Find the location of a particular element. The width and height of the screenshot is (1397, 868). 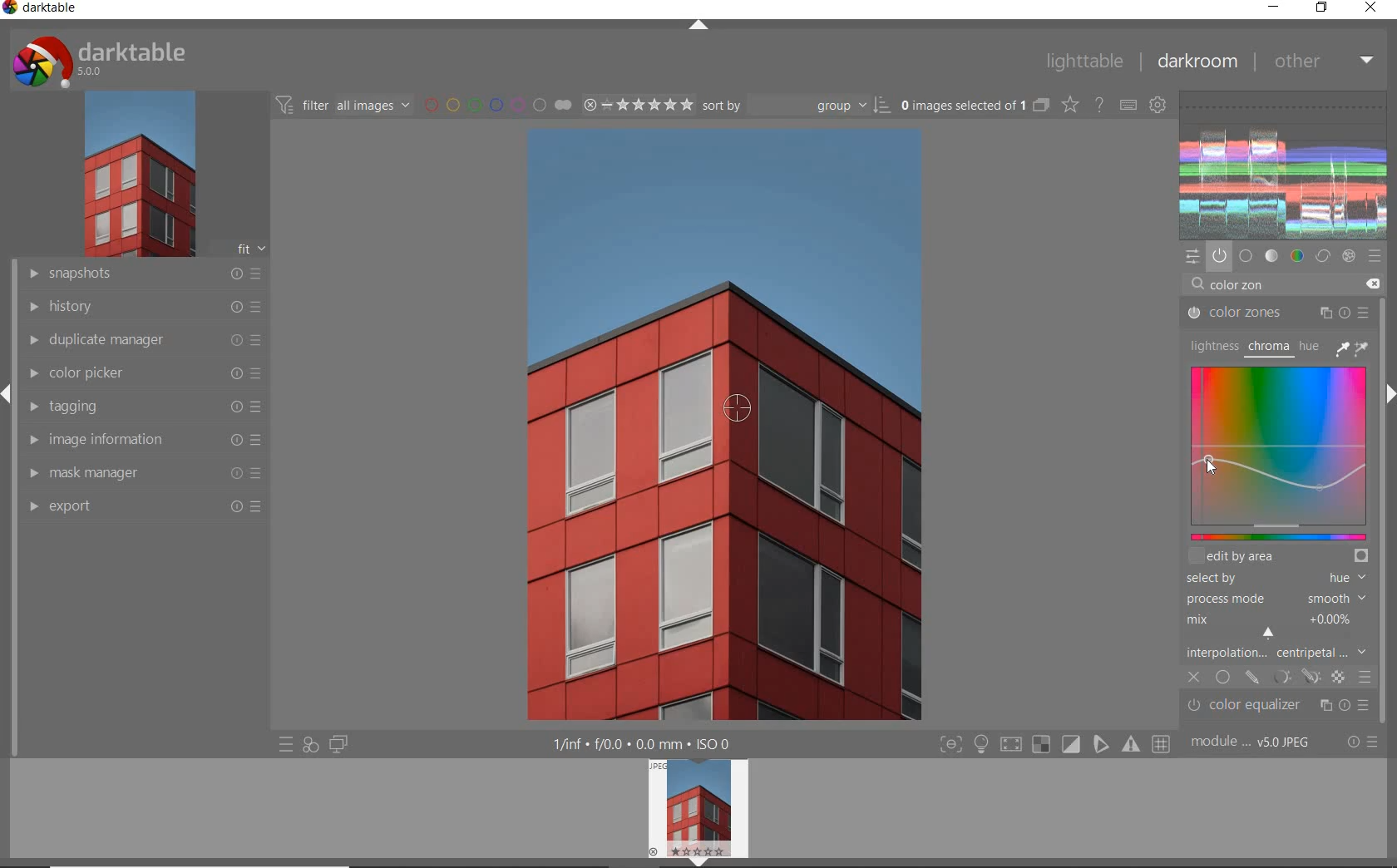

display a second darkroom image widow is located at coordinates (338, 742).